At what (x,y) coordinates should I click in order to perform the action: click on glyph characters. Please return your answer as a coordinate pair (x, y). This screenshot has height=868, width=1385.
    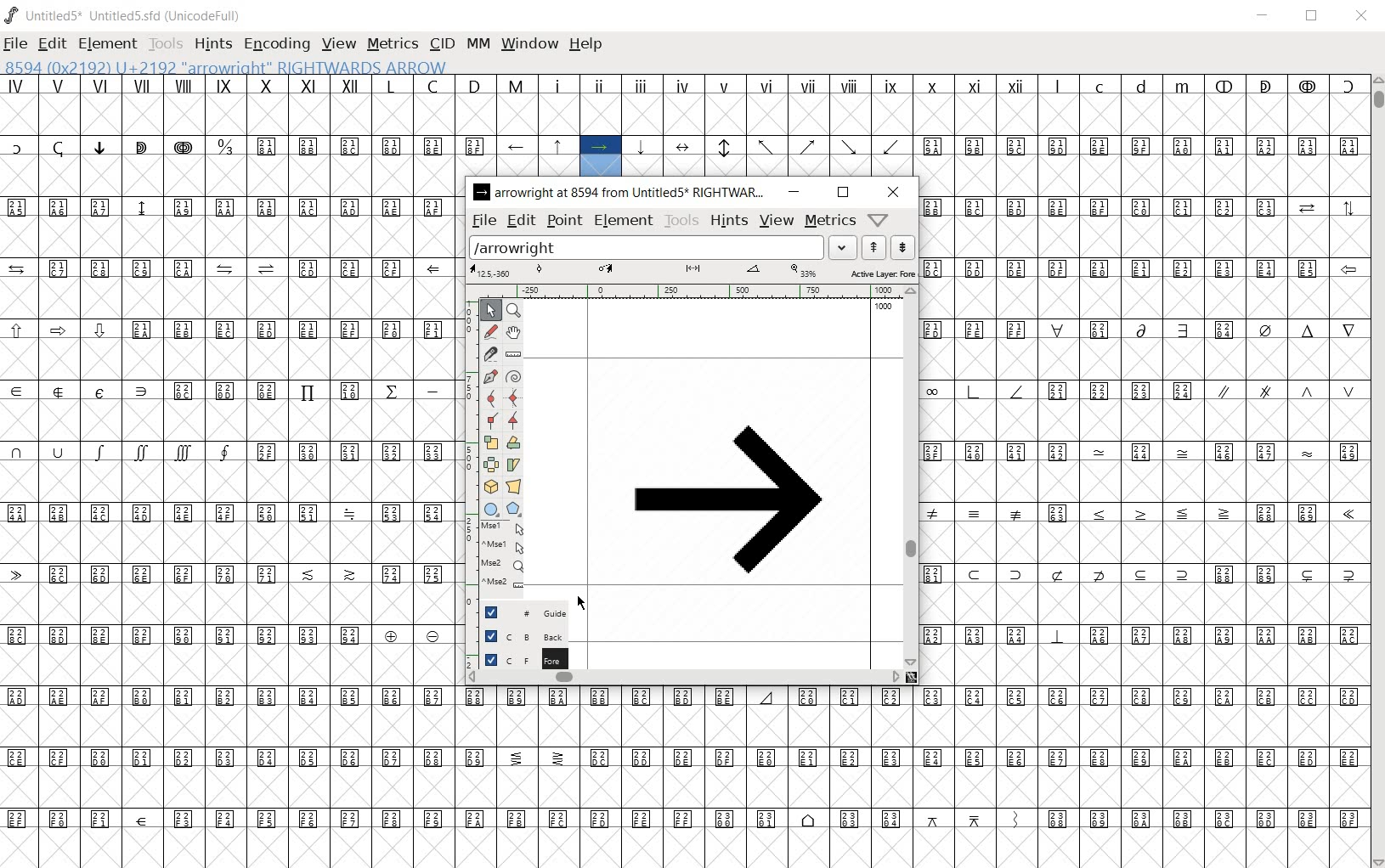
    Looking at the image, I should click on (1144, 470).